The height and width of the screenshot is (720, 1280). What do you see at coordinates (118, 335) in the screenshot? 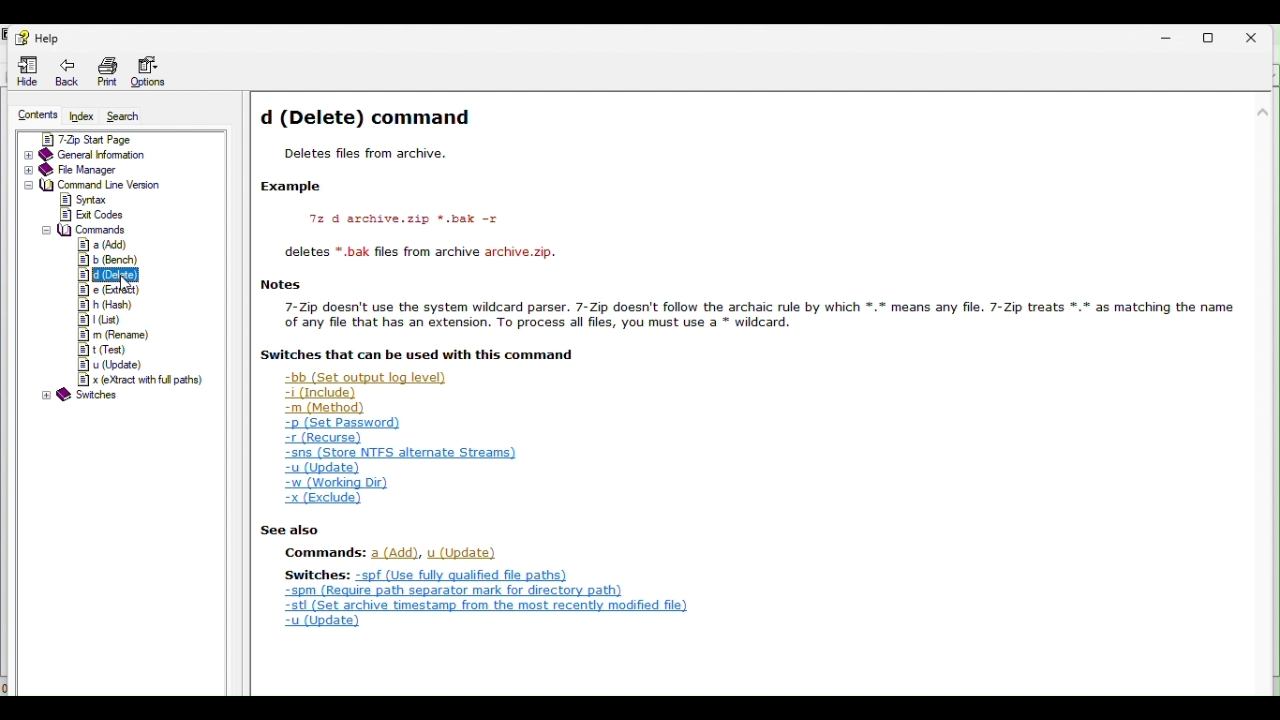
I see `m` at bounding box center [118, 335].